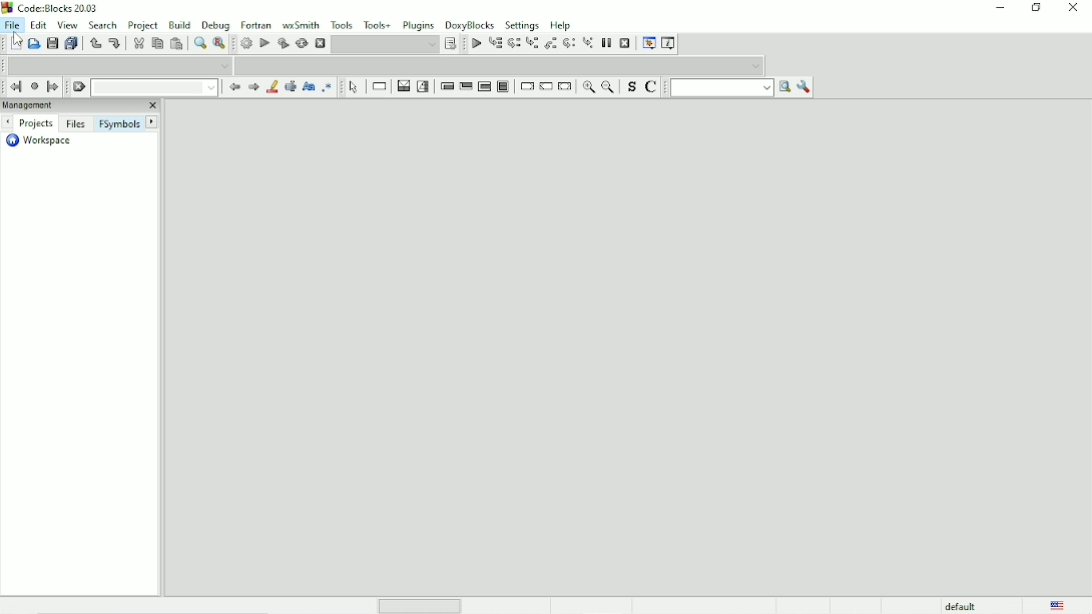  What do you see at coordinates (144, 24) in the screenshot?
I see `Project` at bounding box center [144, 24].